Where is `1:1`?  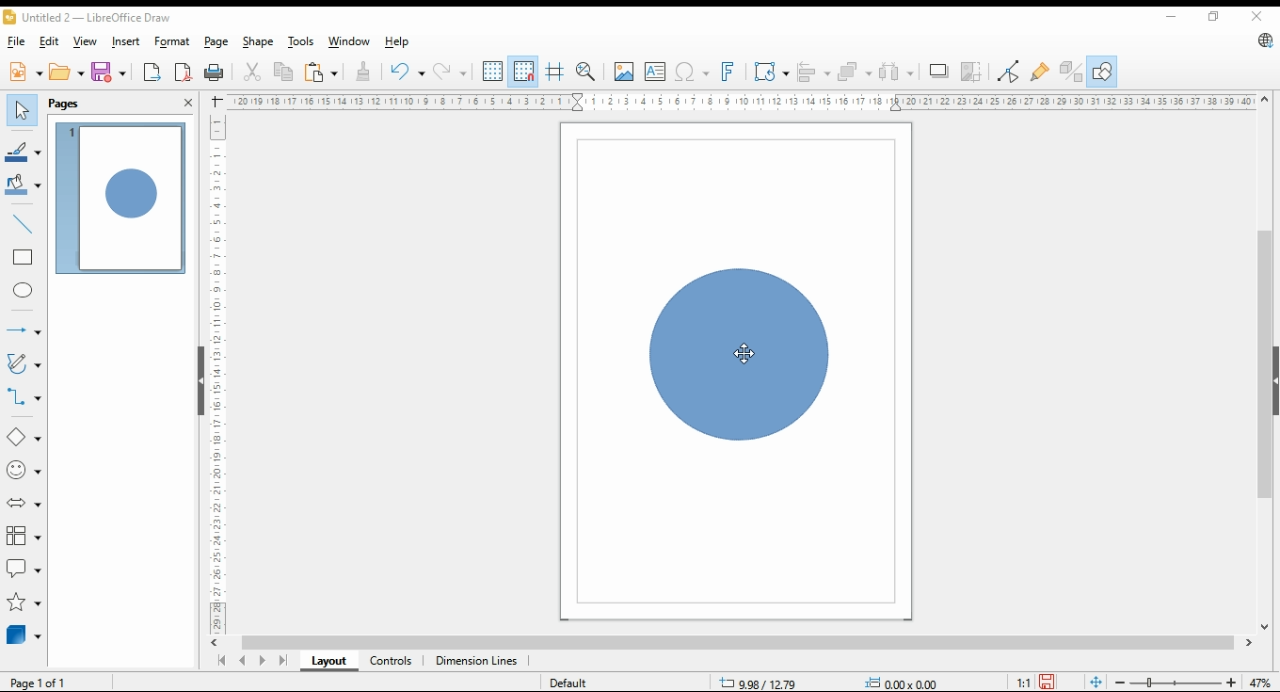
1:1 is located at coordinates (1023, 681).